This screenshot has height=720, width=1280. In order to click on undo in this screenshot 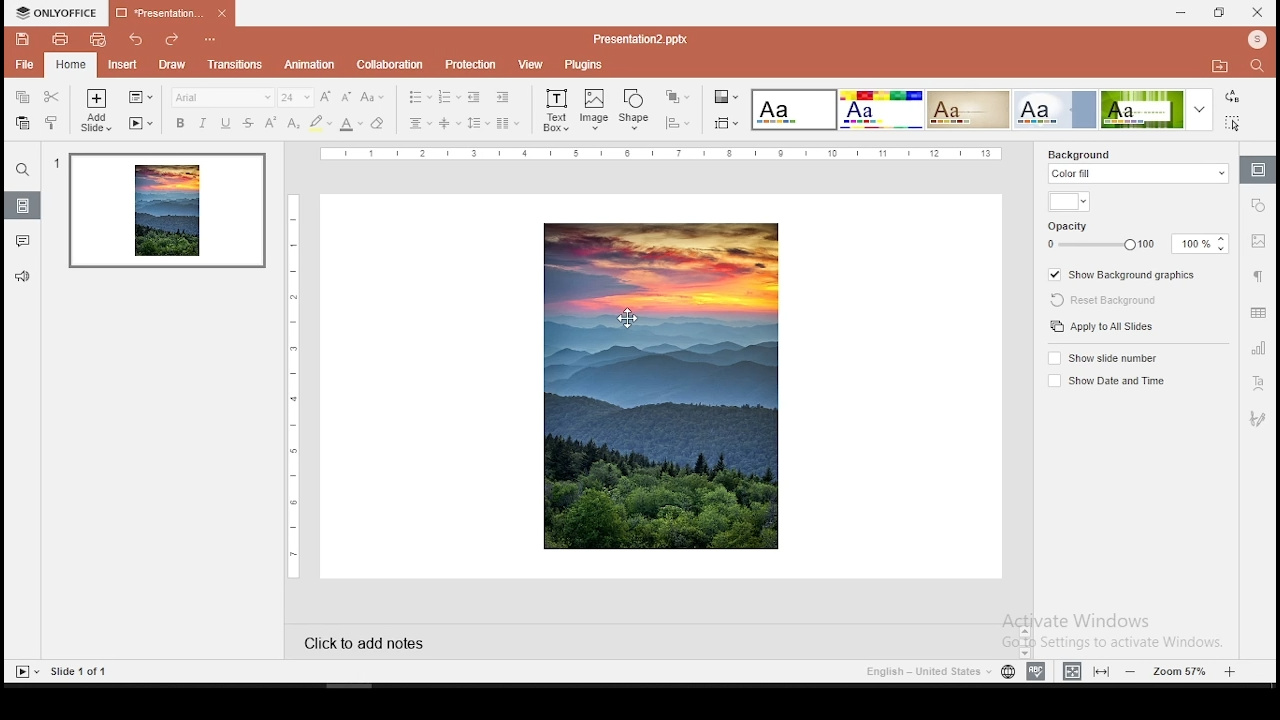, I will do `click(135, 42)`.